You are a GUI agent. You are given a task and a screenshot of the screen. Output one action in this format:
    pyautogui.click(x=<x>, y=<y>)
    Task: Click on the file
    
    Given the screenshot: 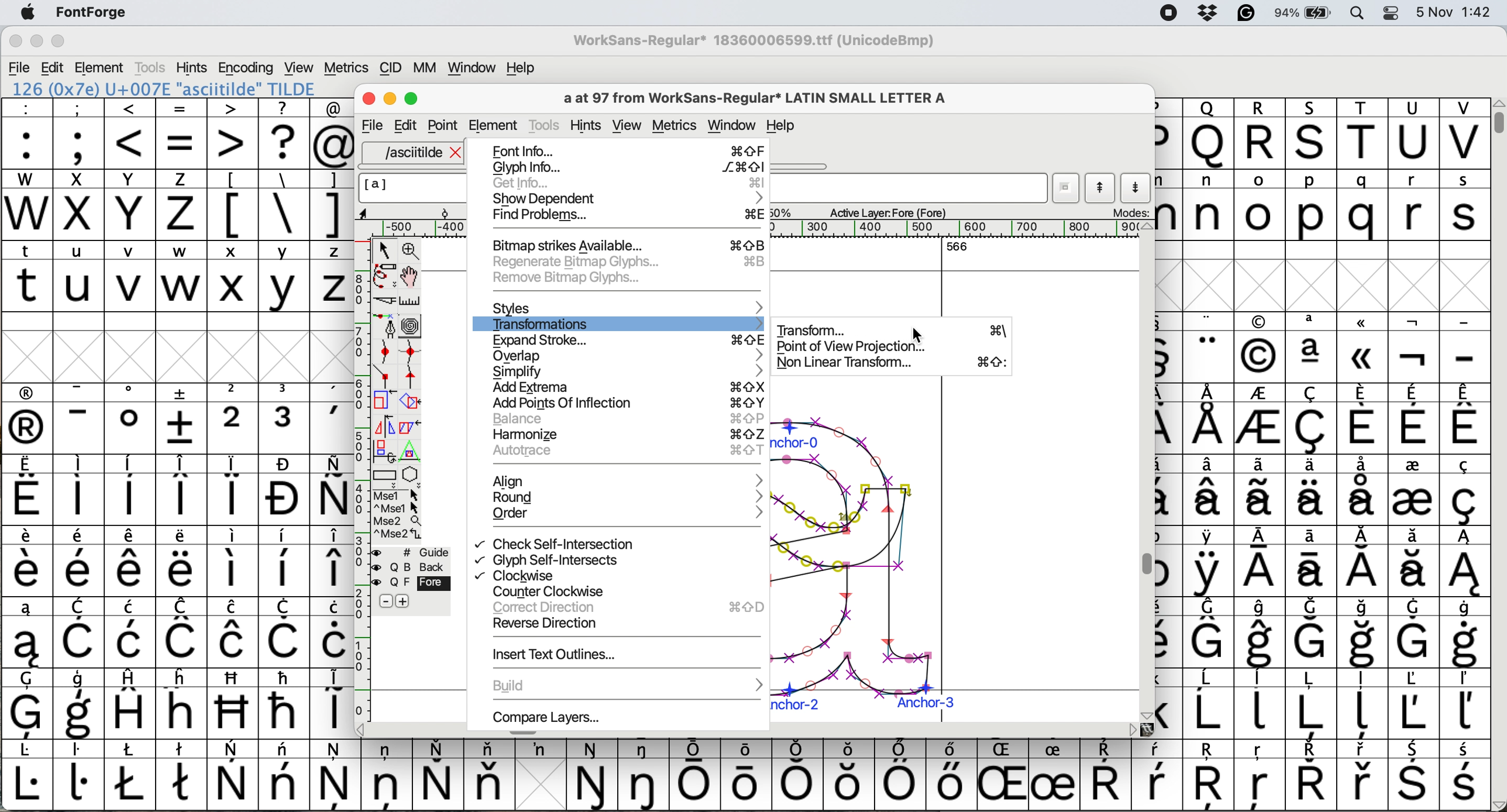 What is the action you would take?
    pyautogui.click(x=20, y=68)
    